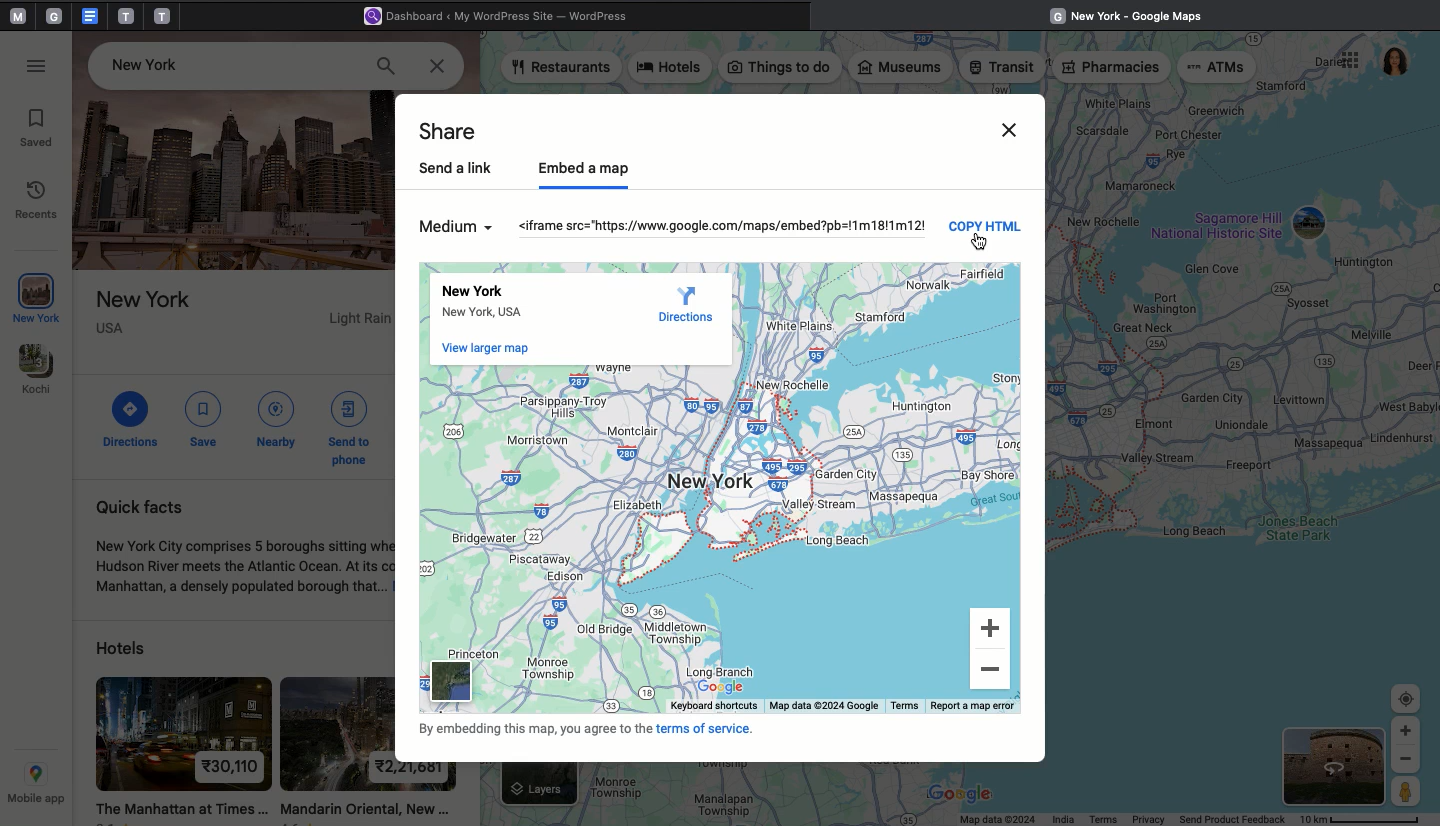 The height and width of the screenshot is (826, 1440). Describe the element at coordinates (993, 672) in the screenshot. I see `Zoom out` at that location.